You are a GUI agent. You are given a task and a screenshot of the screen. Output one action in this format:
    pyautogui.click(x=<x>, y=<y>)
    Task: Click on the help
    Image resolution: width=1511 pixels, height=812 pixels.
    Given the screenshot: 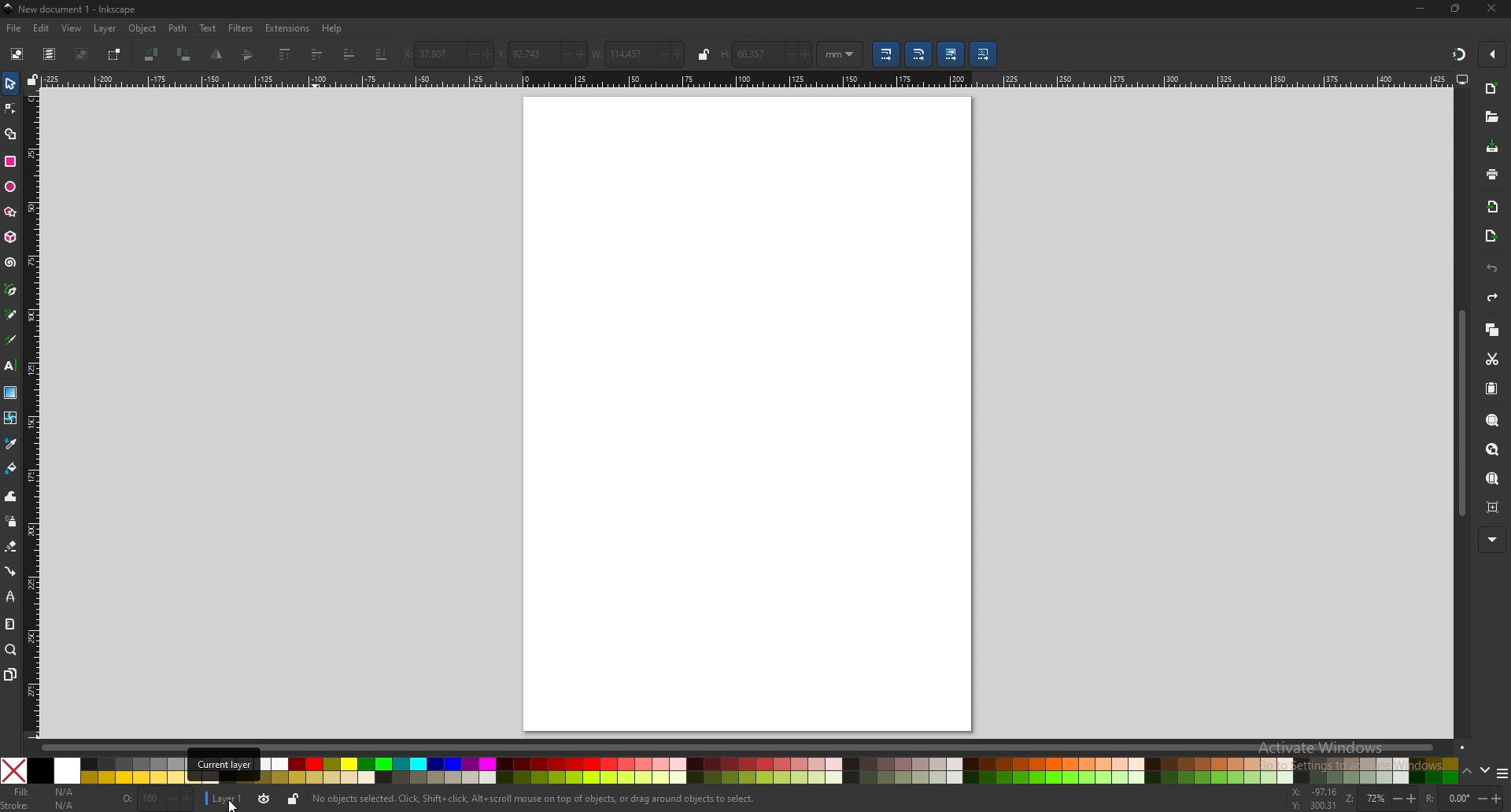 What is the action you would take?
    pyautogui.click(x=331, y=28)
    